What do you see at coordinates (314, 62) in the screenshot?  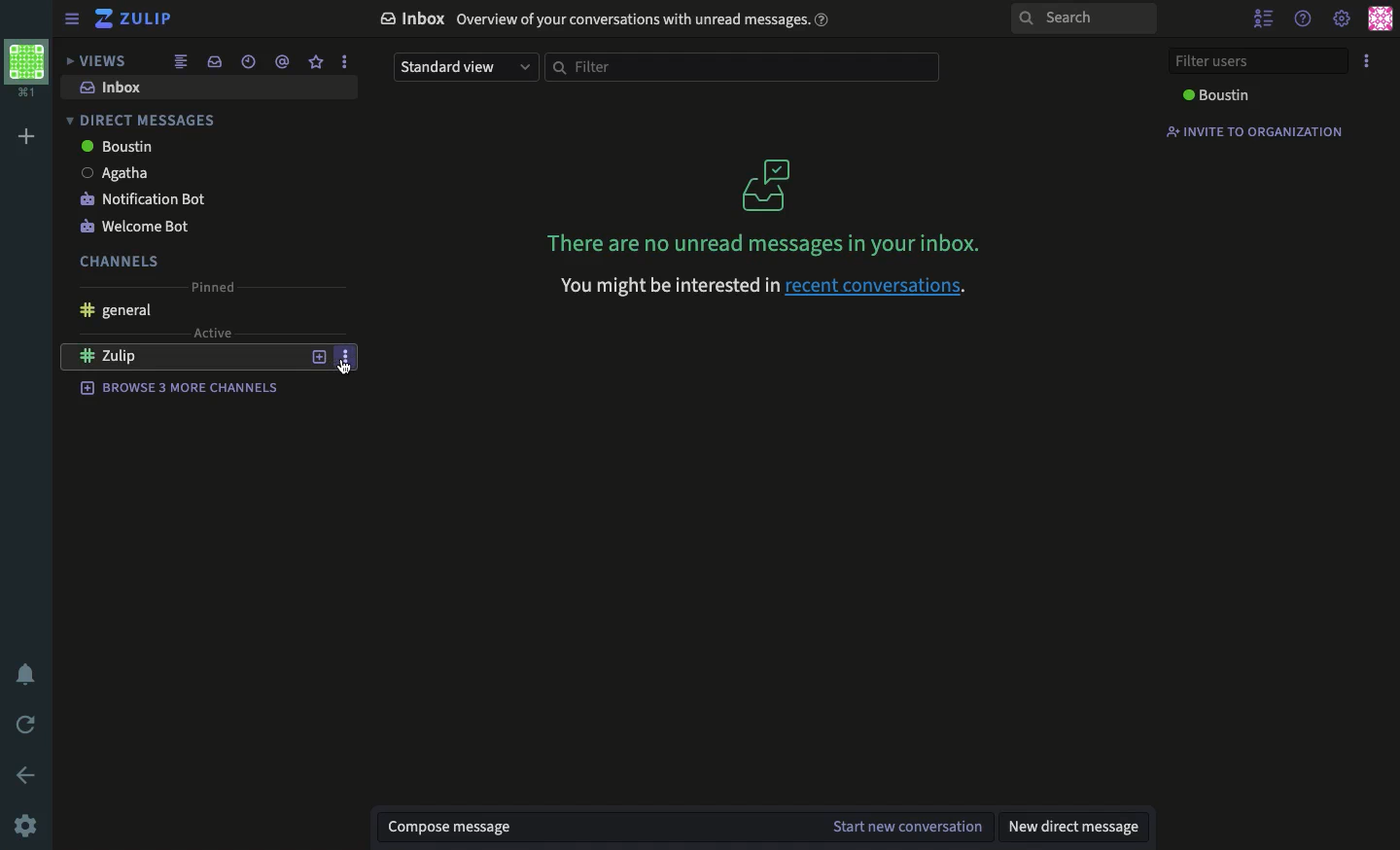 I see `favorite` at bounding box center [314, 62].